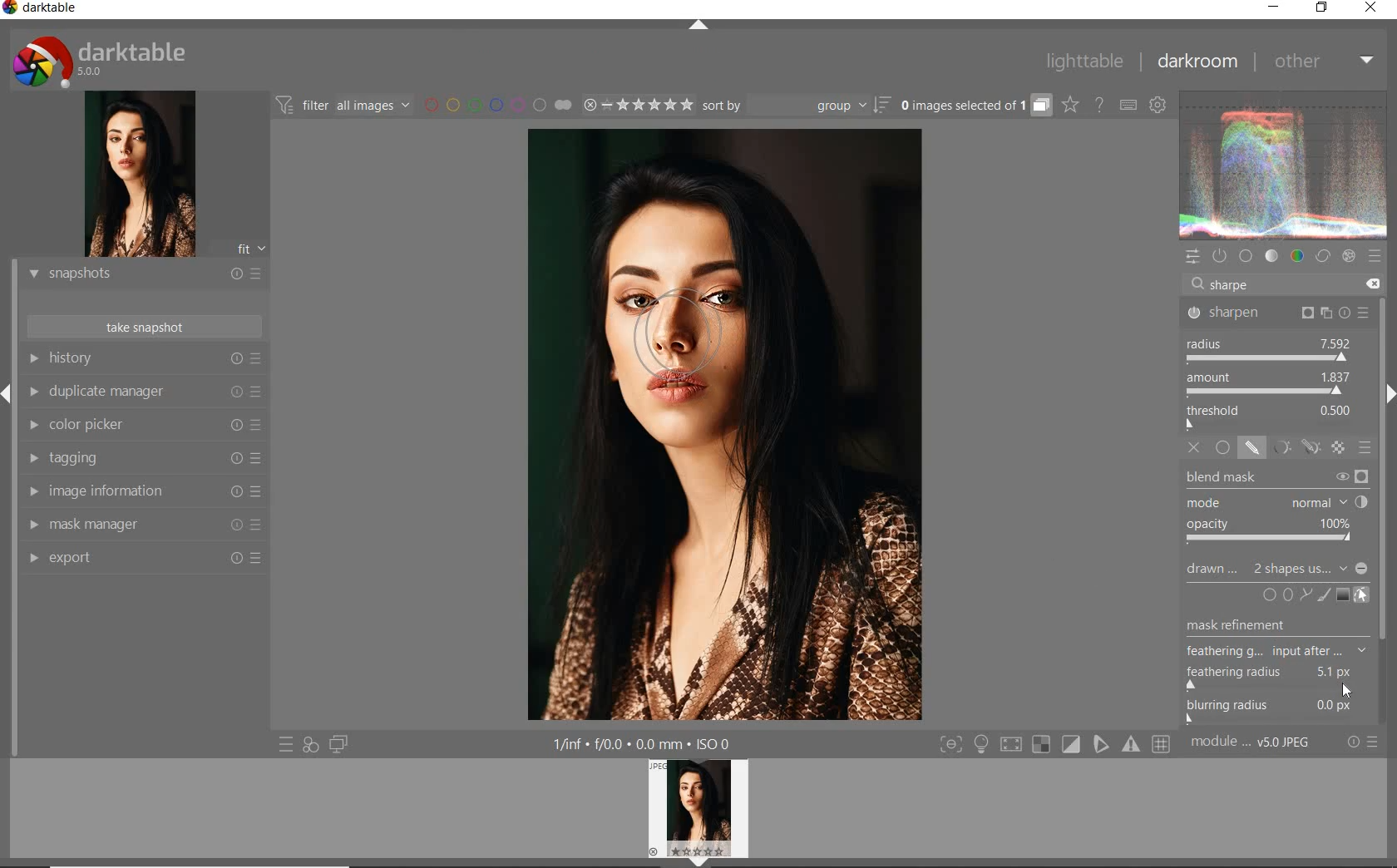 This screenshot has height=868, width=1397. Describe the element at coordinates (141, 490) in the screenshot. I see `IMAGE INFORMATION` at that location.